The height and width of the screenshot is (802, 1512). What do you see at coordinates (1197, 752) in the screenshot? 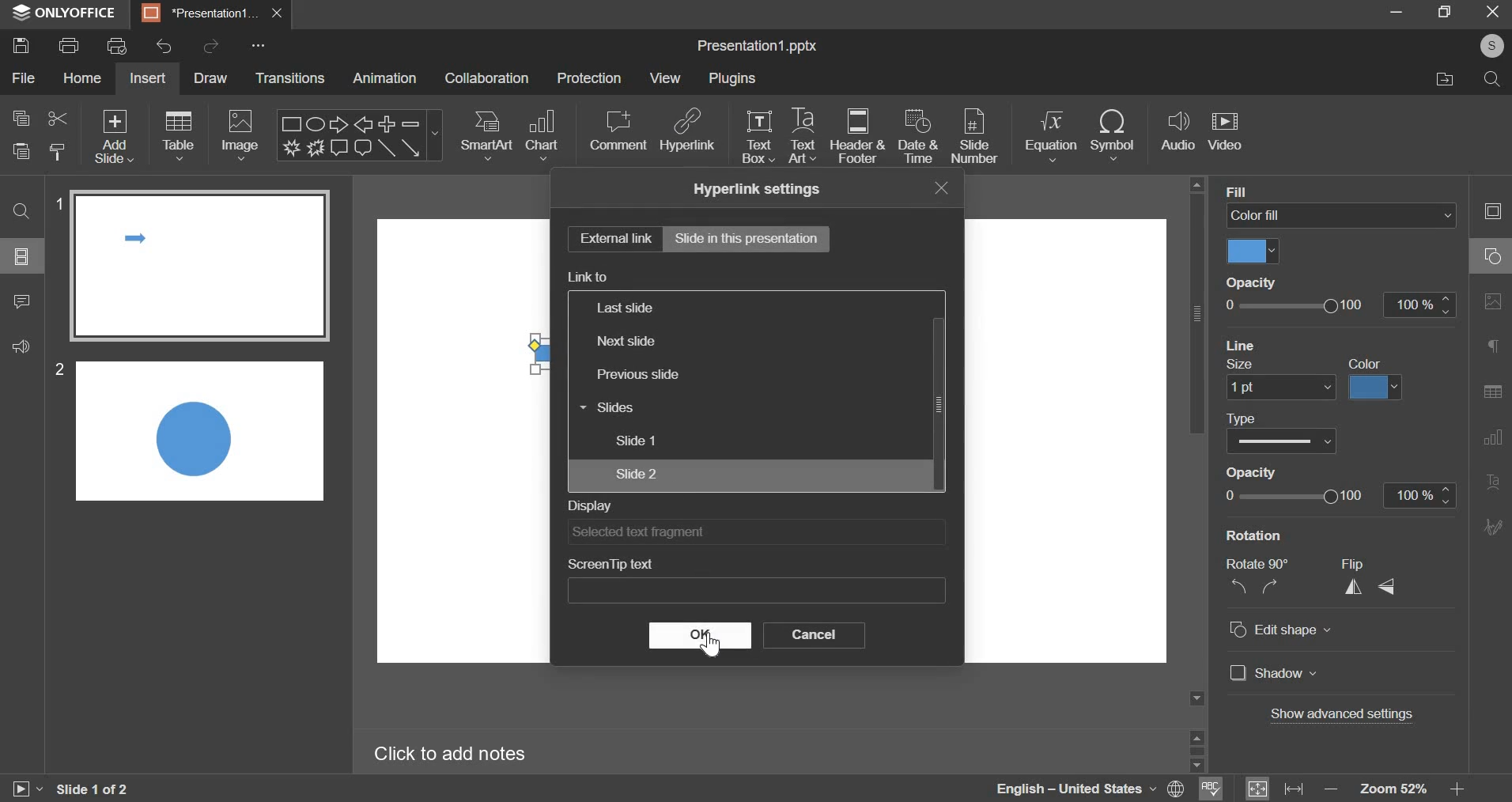
I see `scrollbar` at bounding box center [1197, 752].